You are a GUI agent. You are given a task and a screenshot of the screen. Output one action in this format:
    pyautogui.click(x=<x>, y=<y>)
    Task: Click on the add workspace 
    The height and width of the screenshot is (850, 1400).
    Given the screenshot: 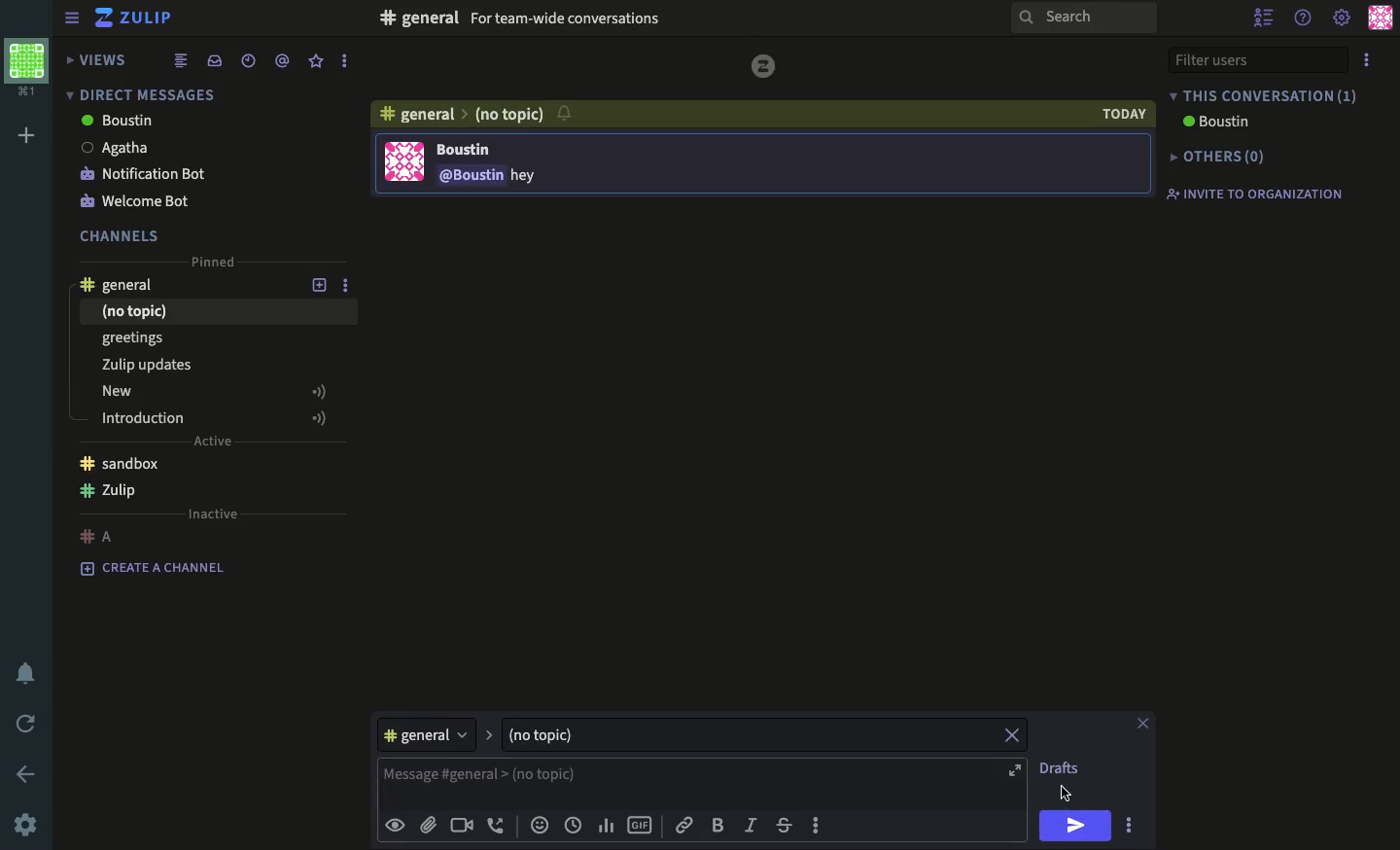 What is the action you would take?
    pyautogui.click(x=32, y=135)
    